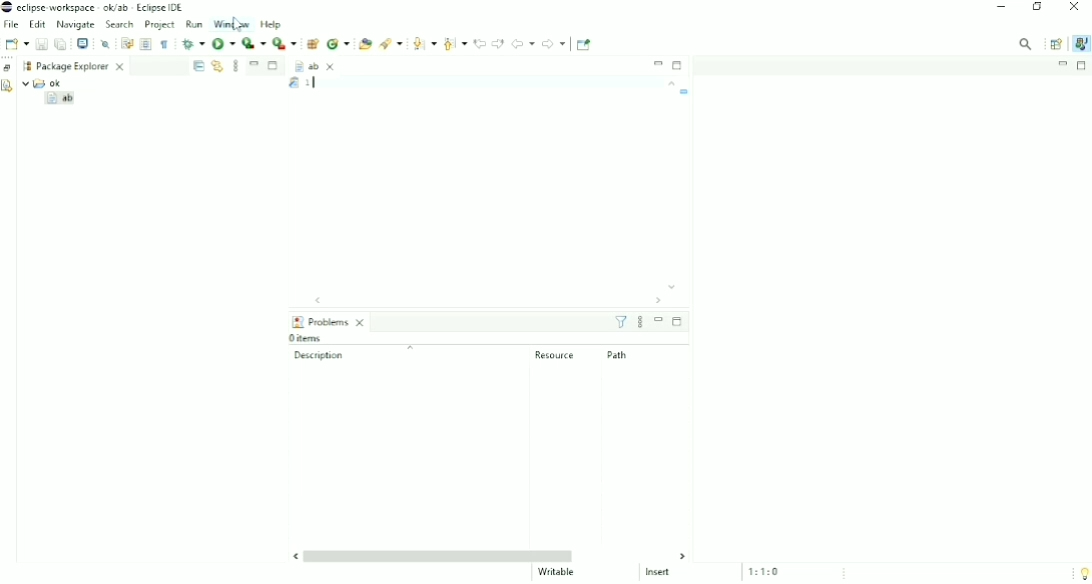  Describe the element at coordinates (659, 320) in the screenshot. I see `Minimize` at that location.